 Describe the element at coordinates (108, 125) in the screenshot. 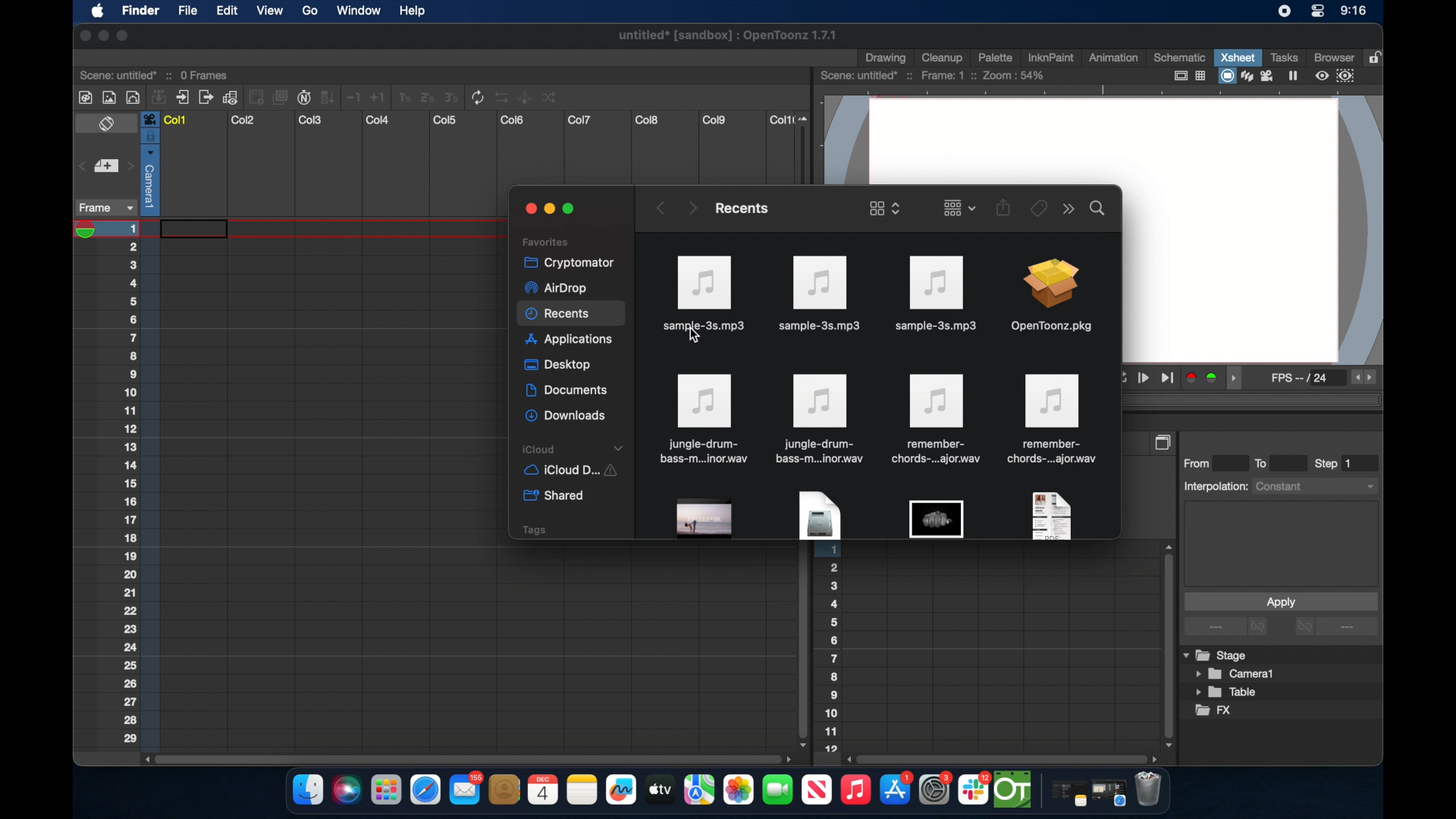

I see `toggle x sheet` at that location.